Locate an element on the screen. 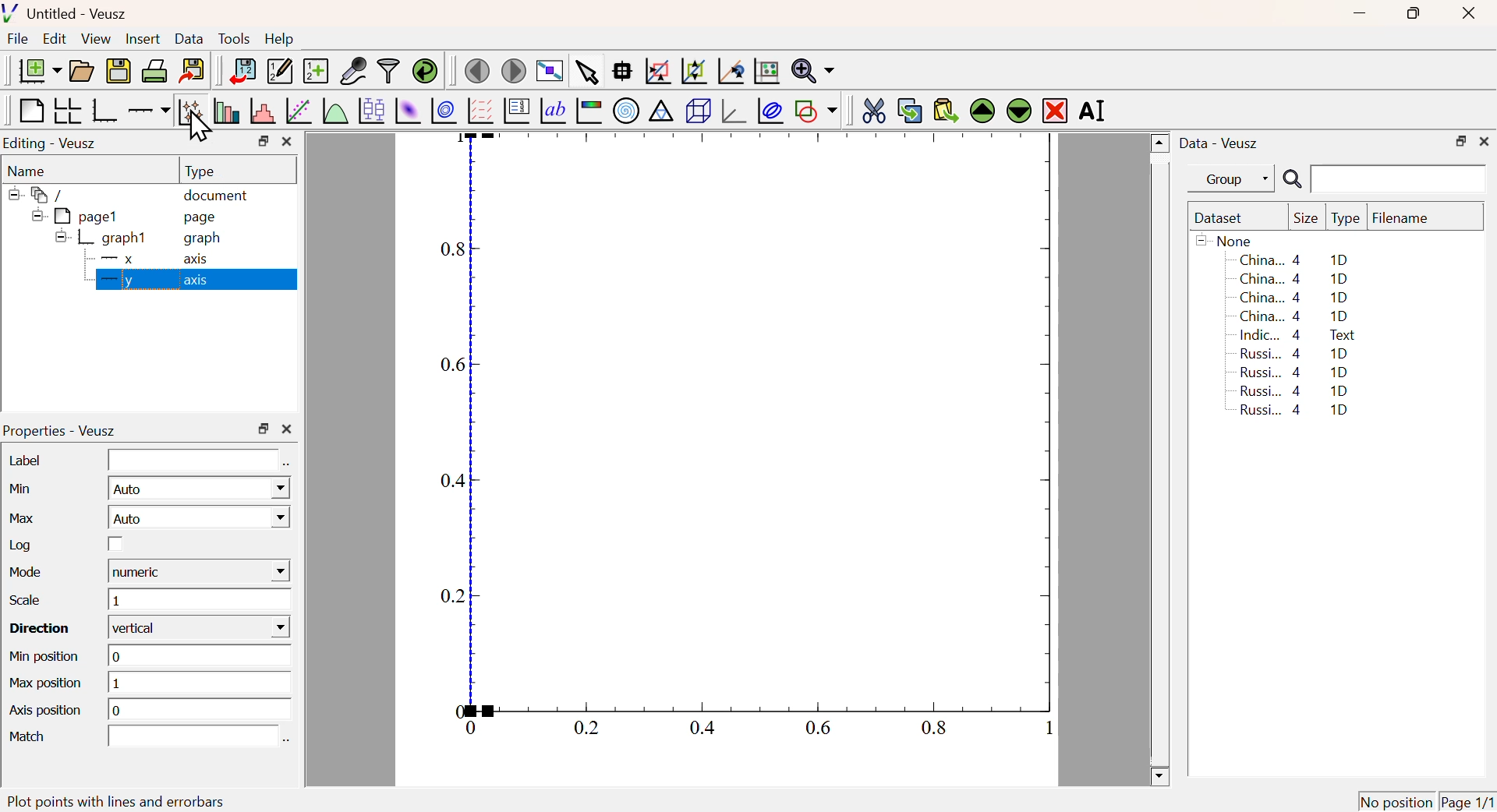 The height and width of the screenshot is (812, 1497). Export to graphics format is located at coordinates (193, 69).